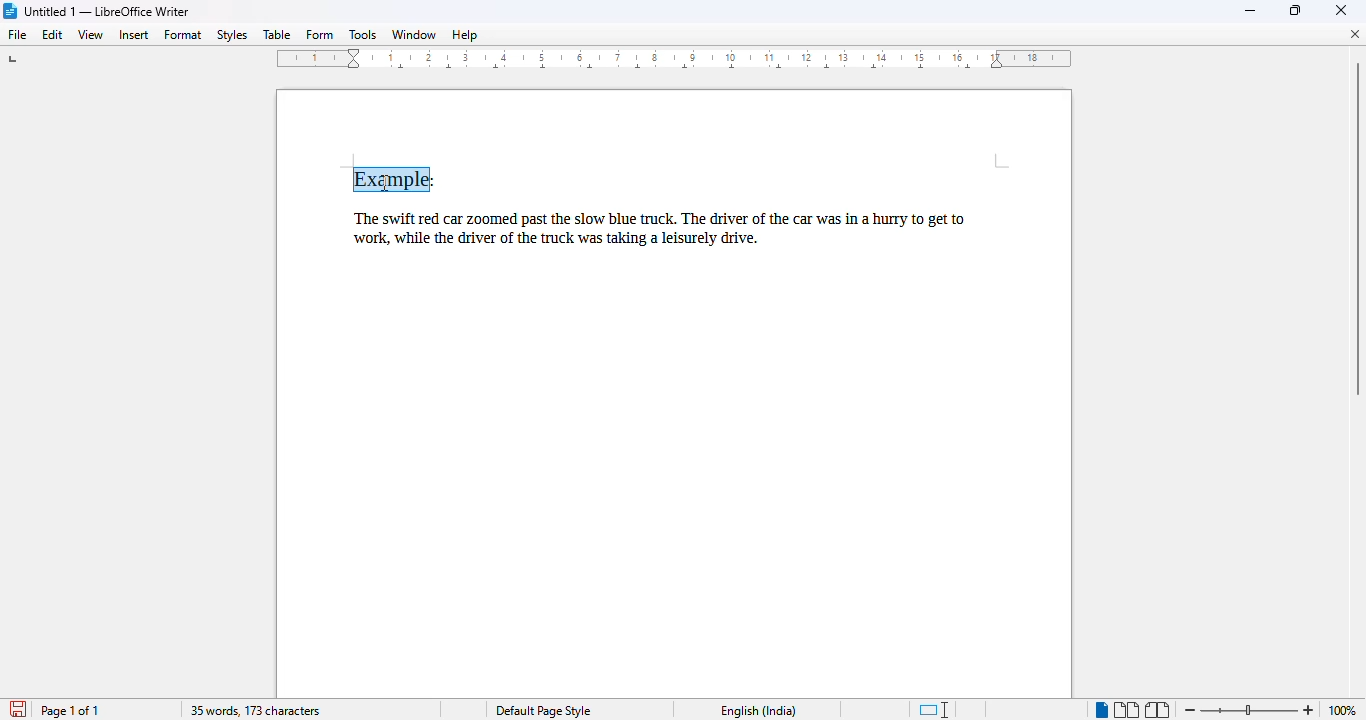 This screenshot has height=720, width=1366. What do you see at coordinates (184, 34) in the screenshot?
I see `format` at bounding box center [184, 34].